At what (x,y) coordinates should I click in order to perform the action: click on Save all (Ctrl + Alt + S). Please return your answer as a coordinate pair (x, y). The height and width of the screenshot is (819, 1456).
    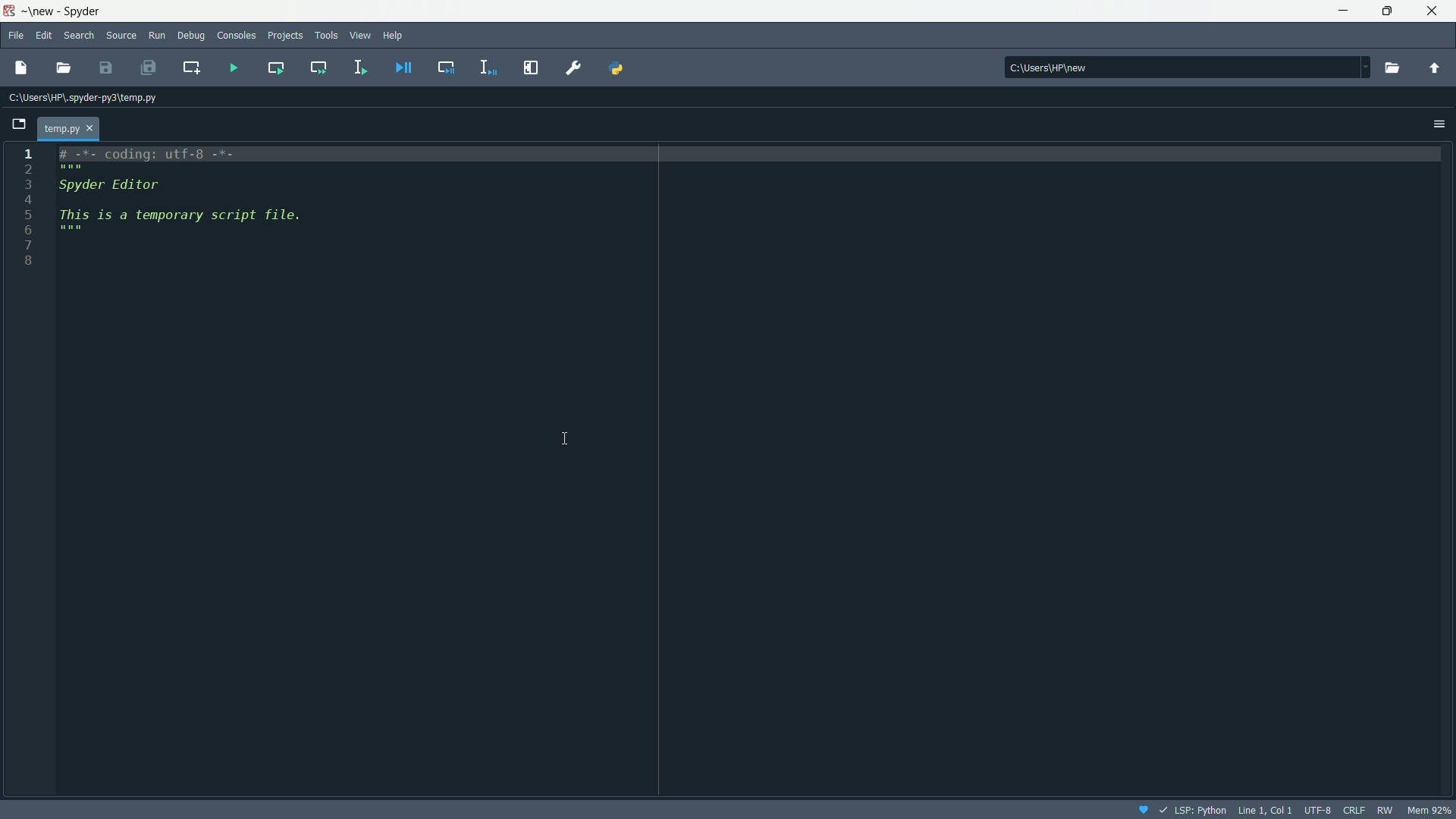
    Looking at the image, I should click on (150, 67).